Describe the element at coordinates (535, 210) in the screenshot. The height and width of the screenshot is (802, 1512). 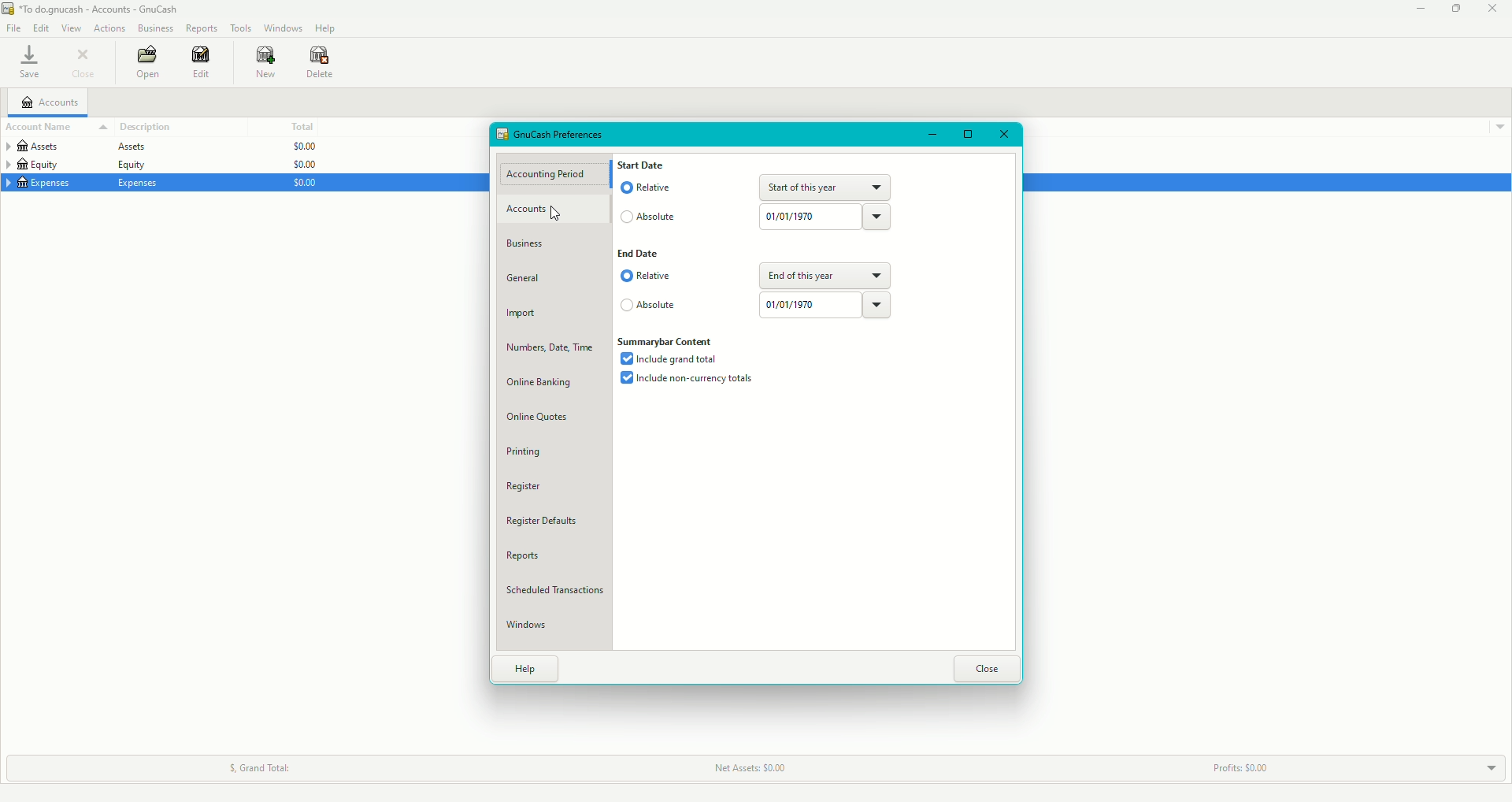
I see `Accounts` at that location.